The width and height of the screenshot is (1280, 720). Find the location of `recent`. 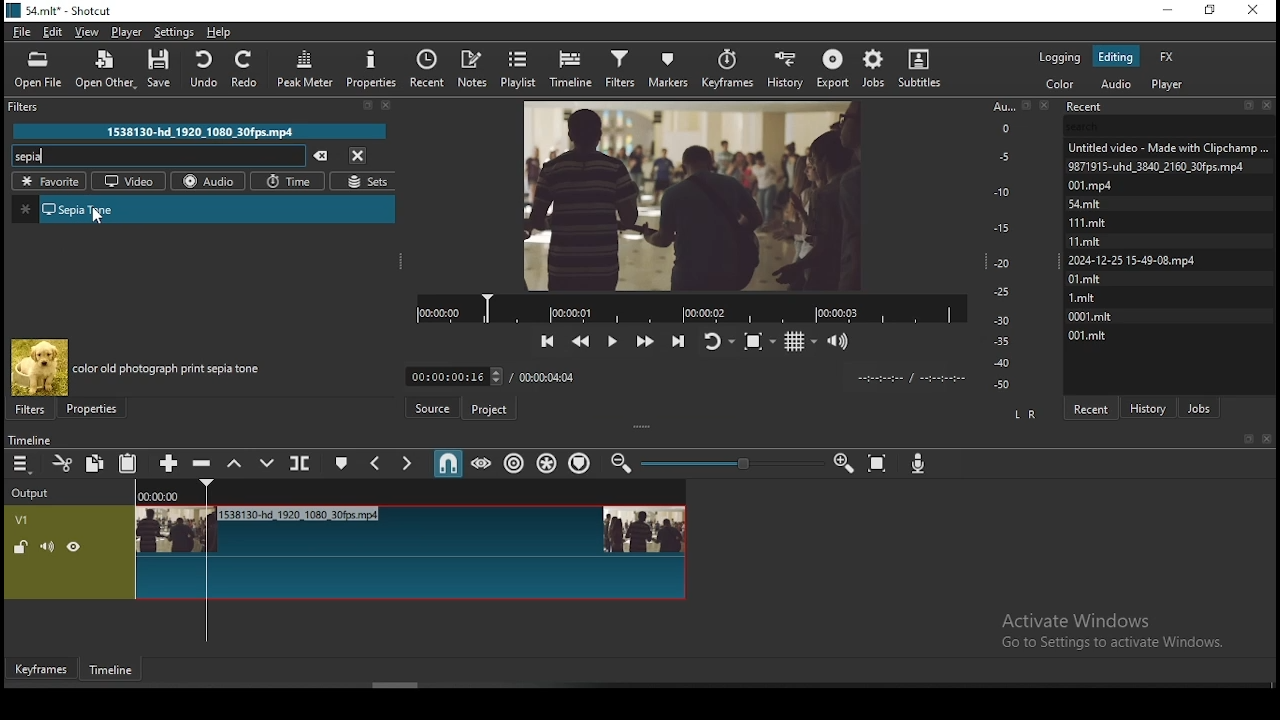

recent is located at coordinates (1092, 407).